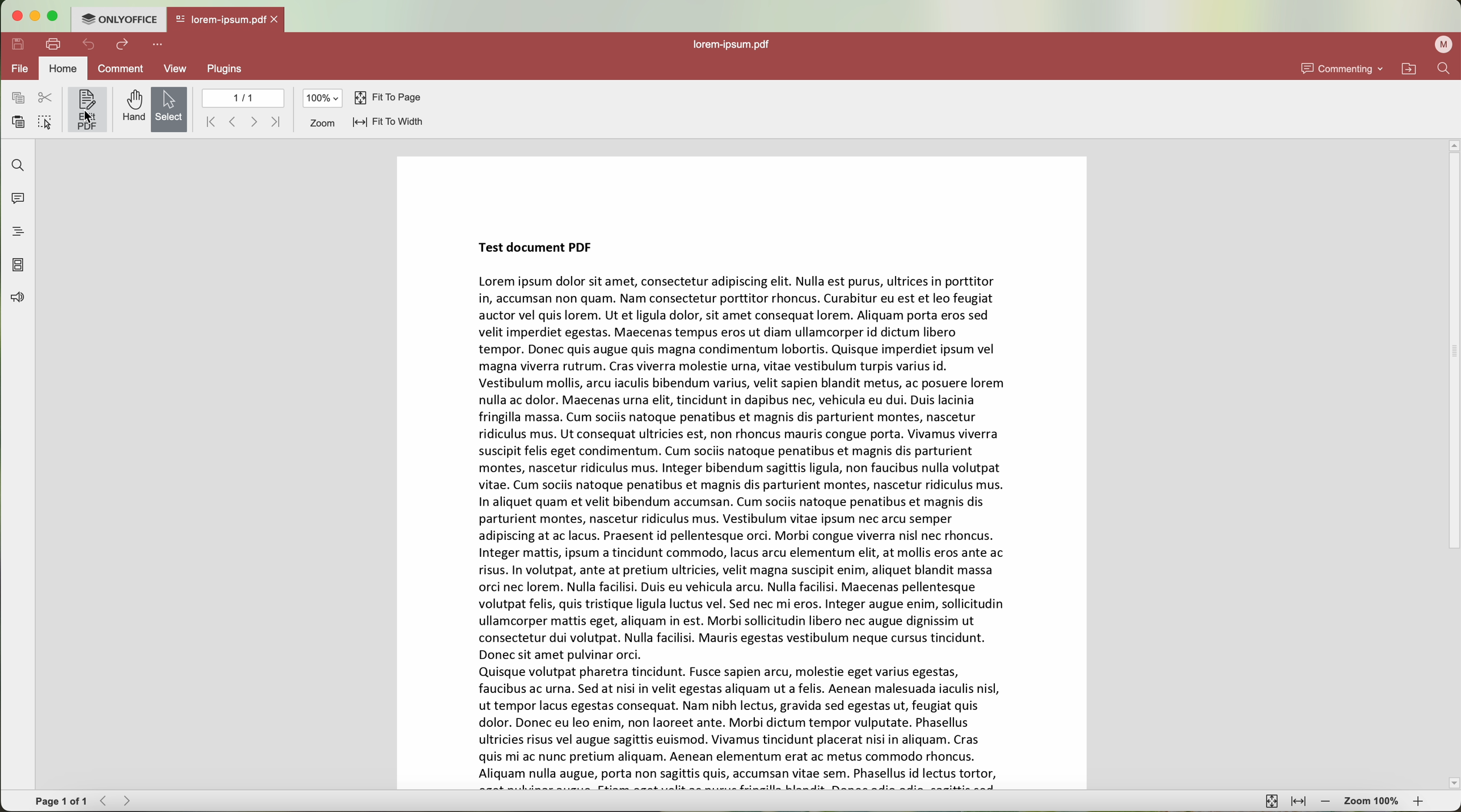  Describe the element at coordinates (129, 107) in the screenshot. I see `hand` at that location.